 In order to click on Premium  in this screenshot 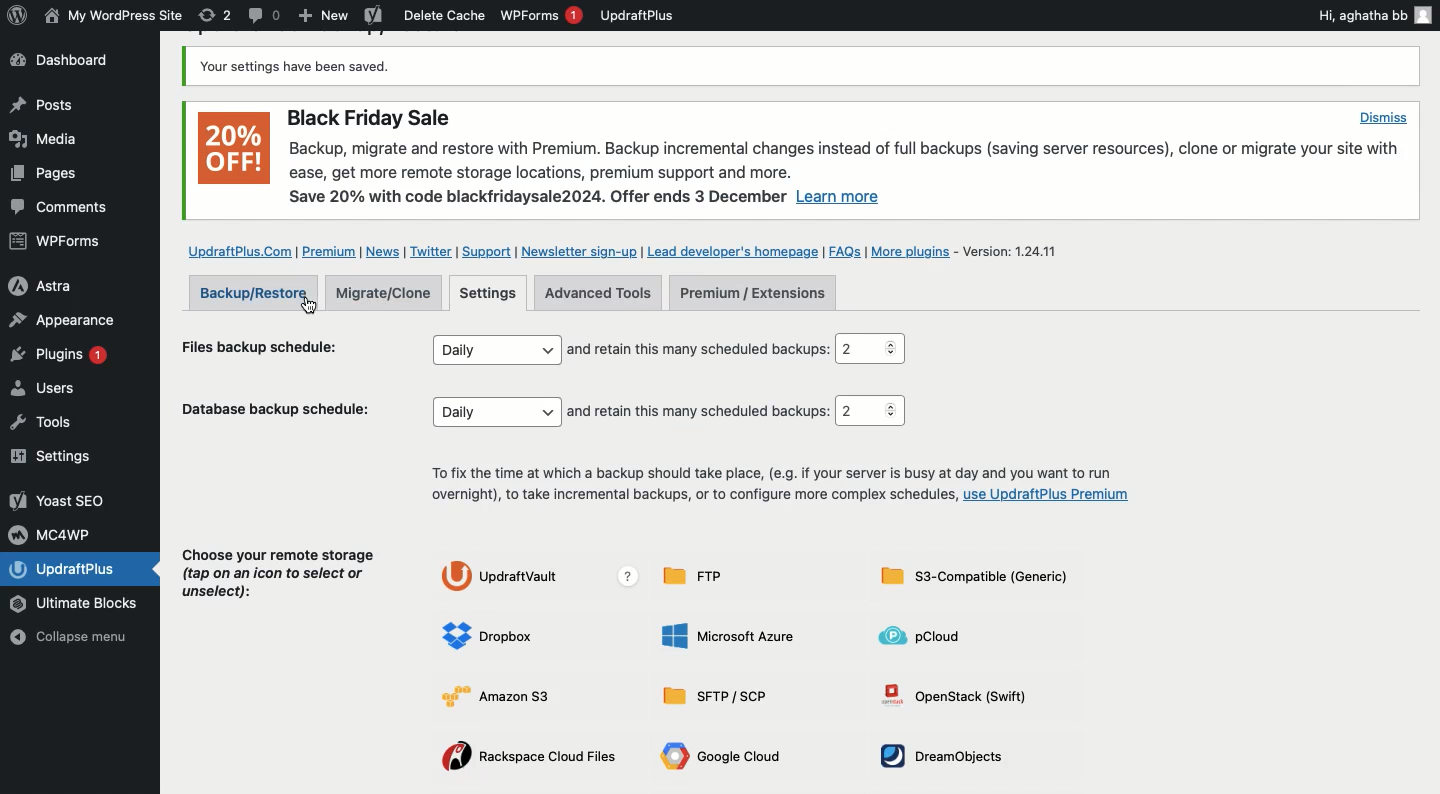, I will do `click(329, 250)`.